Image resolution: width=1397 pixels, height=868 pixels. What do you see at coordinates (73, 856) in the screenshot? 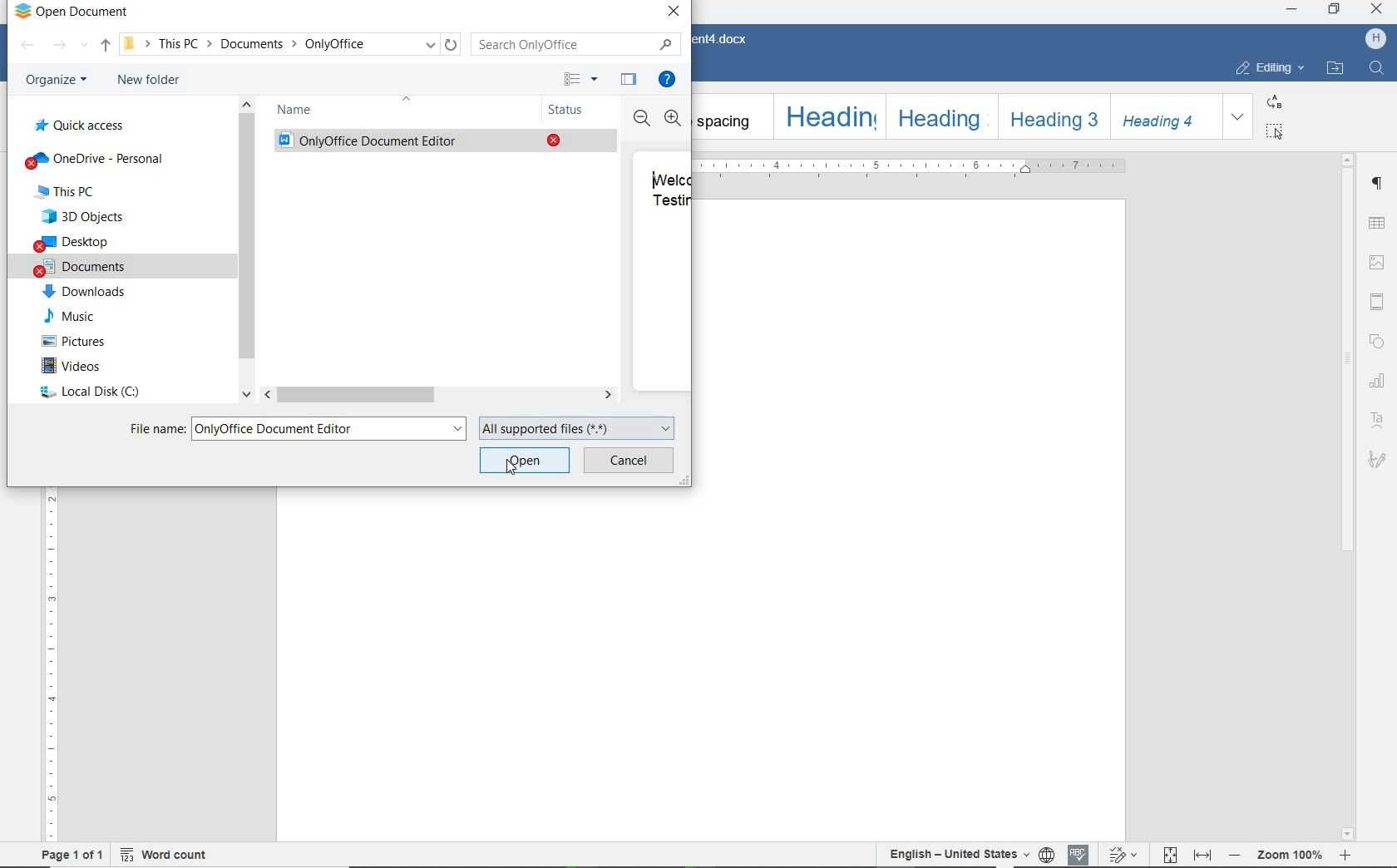
I see `page 1 of 1` at bounding box center [73, 856].